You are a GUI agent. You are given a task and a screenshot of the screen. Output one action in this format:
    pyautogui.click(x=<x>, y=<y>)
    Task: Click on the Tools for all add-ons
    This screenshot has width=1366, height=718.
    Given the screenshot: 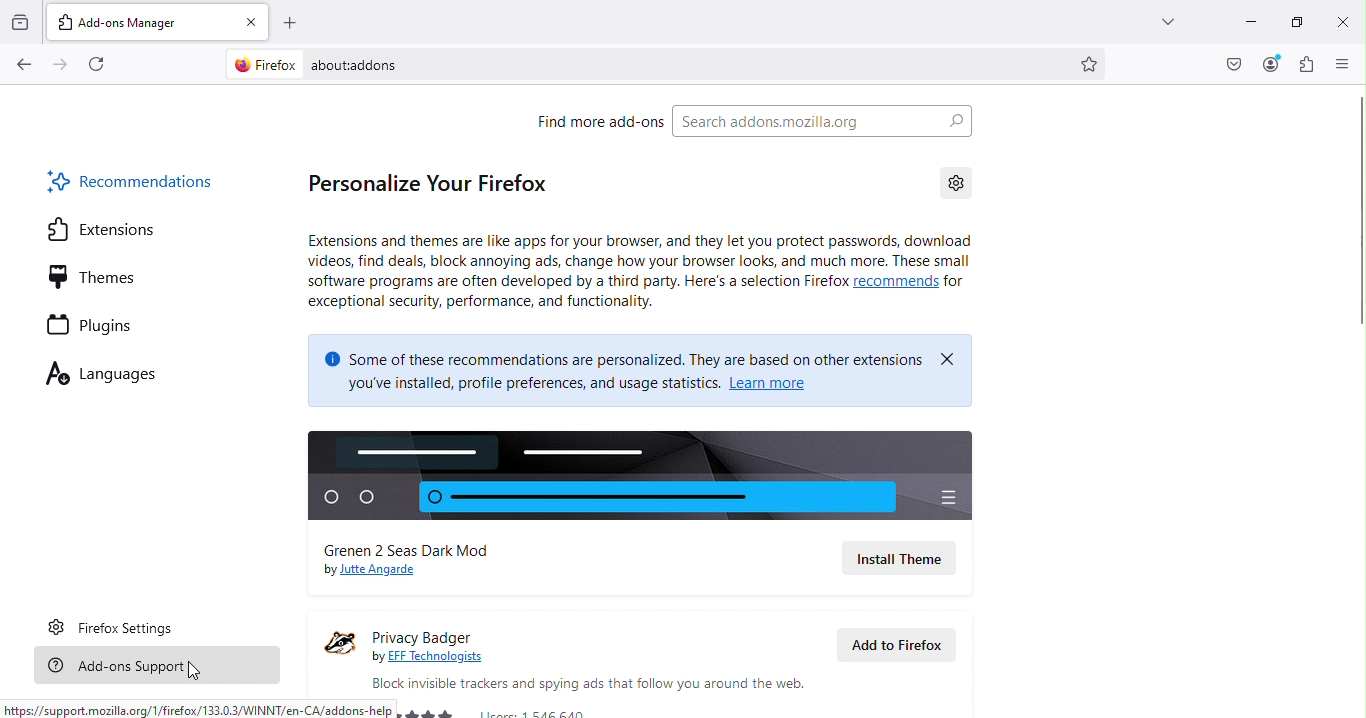 What is the action you would take?
    pyautogui.click(x=961, y=183)
    